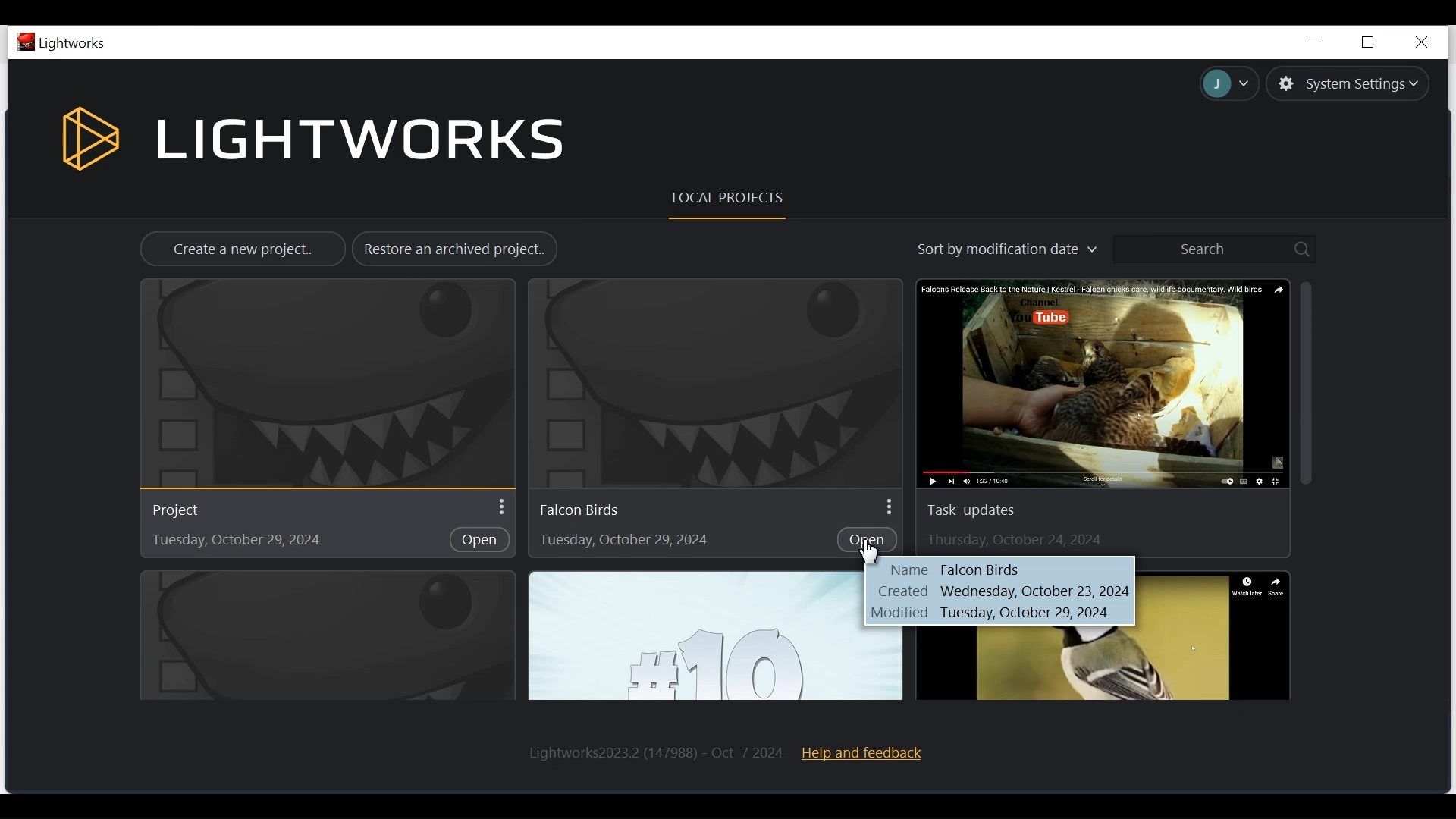 Image resolution: width=1456 pixels, height=819 pixels. What do you see at coordinates (887, 505) in the screenshot?
I see `More` at bounding box center [887, 505].